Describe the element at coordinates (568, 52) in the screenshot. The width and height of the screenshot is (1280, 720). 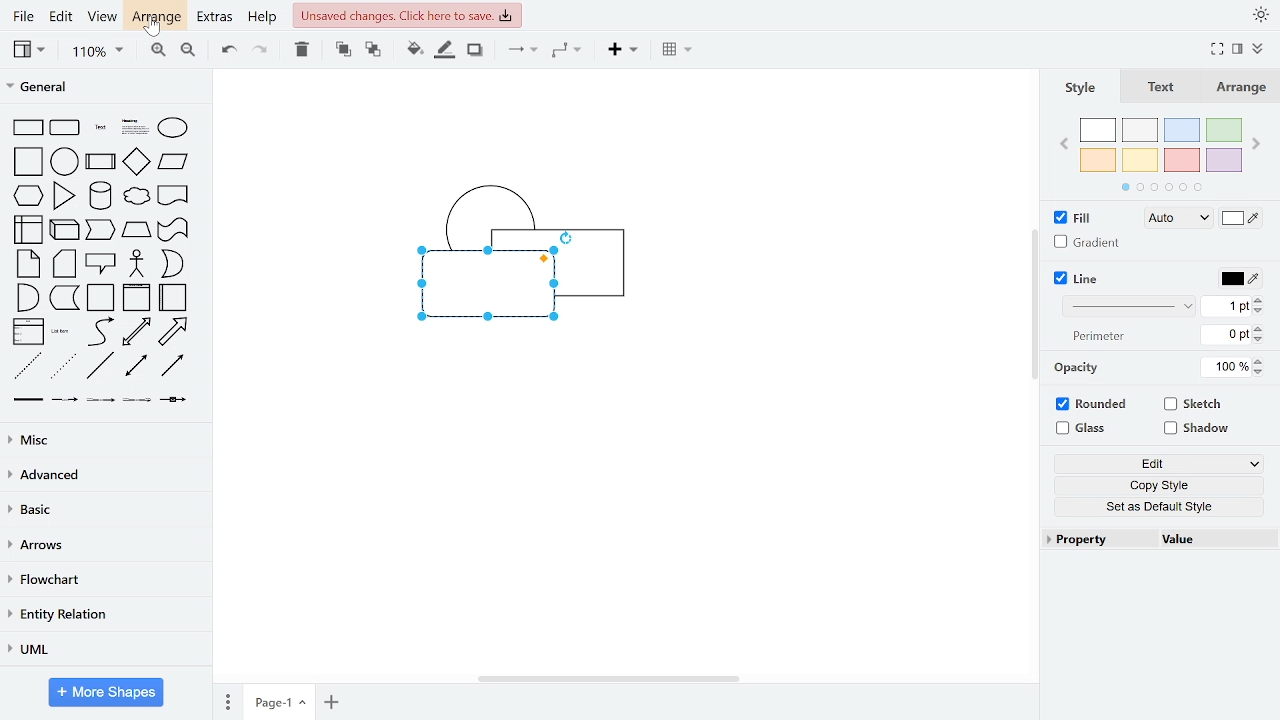
I see `waypoints` at that location.